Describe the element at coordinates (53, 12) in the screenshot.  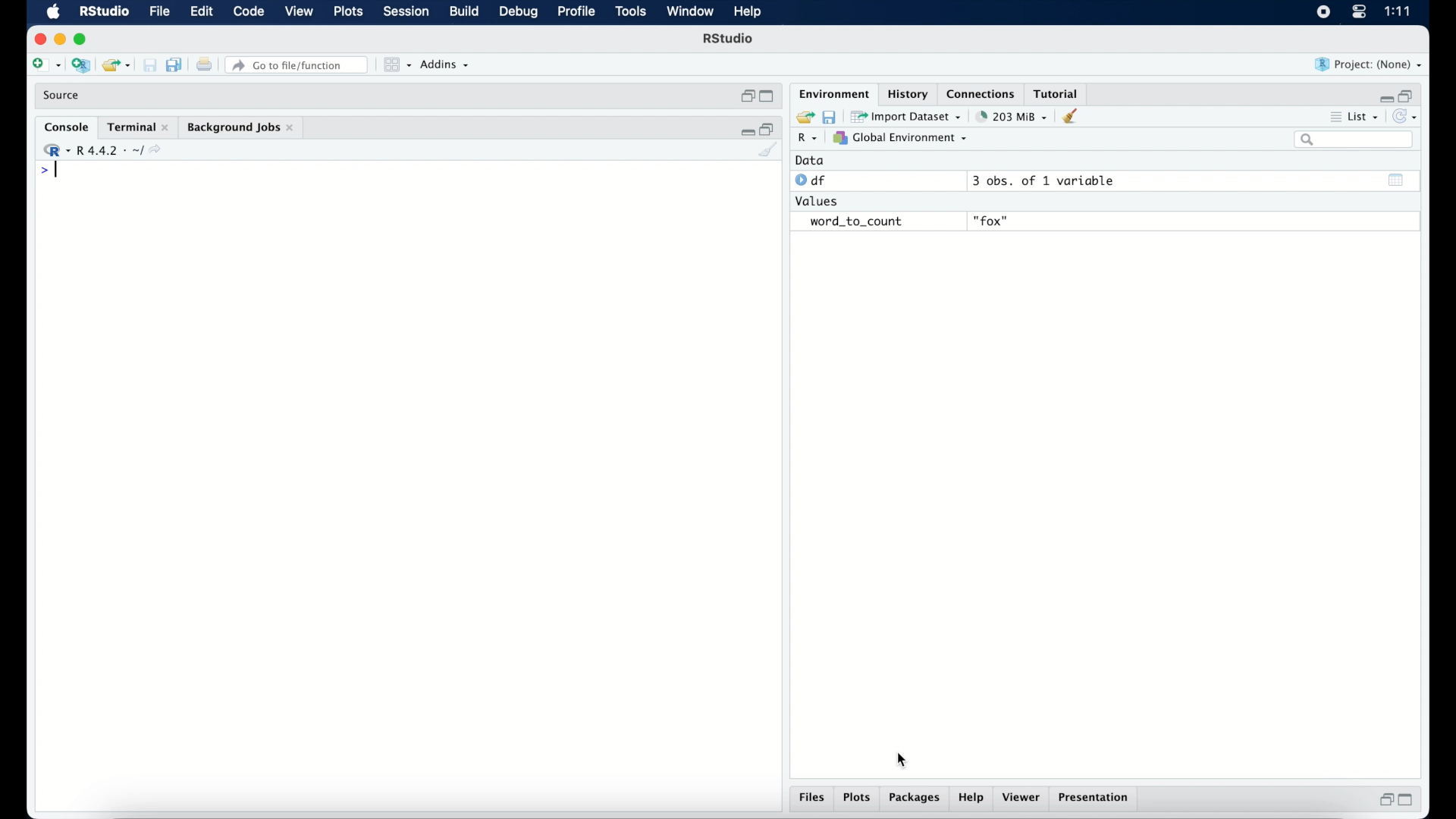
I see `macOS` at that location.